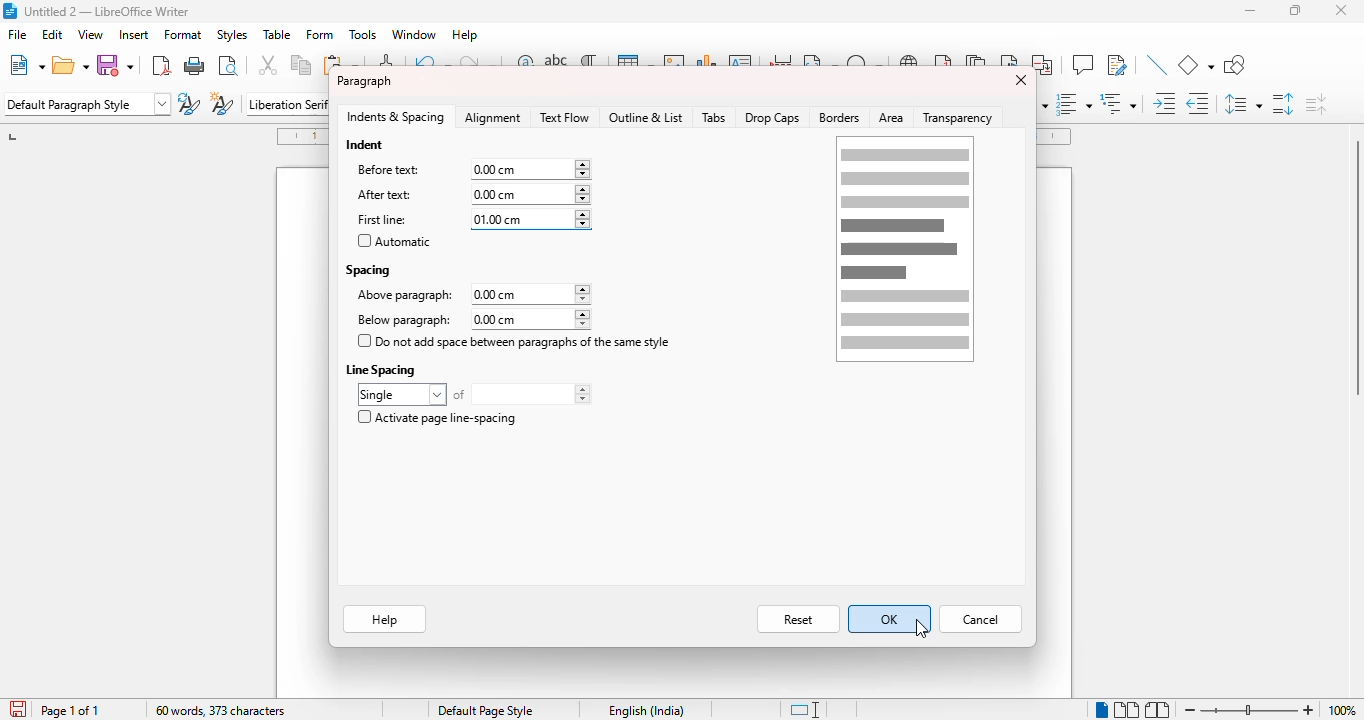  I want to click on save, so click(118, 65).